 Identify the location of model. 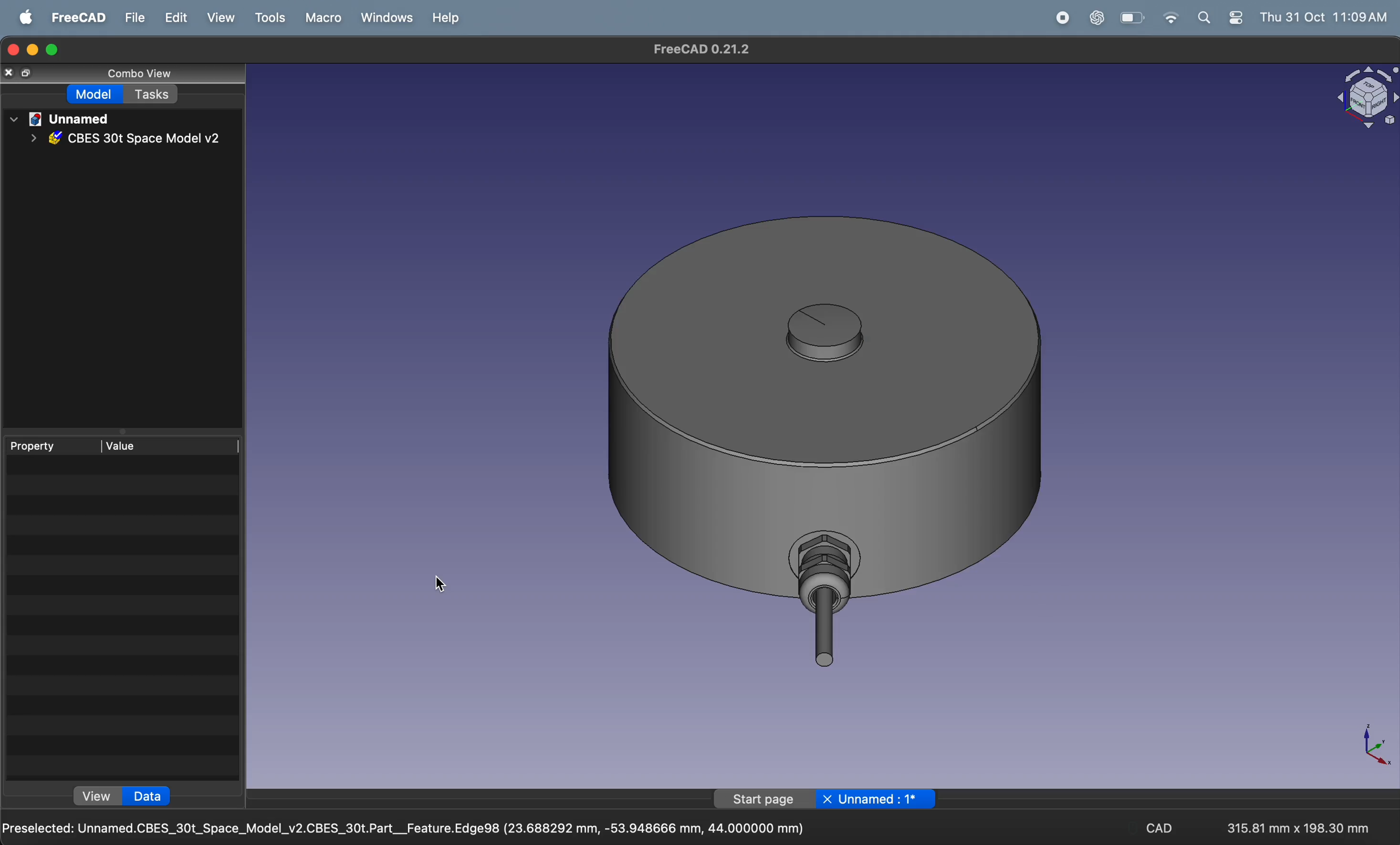
(92, 94).